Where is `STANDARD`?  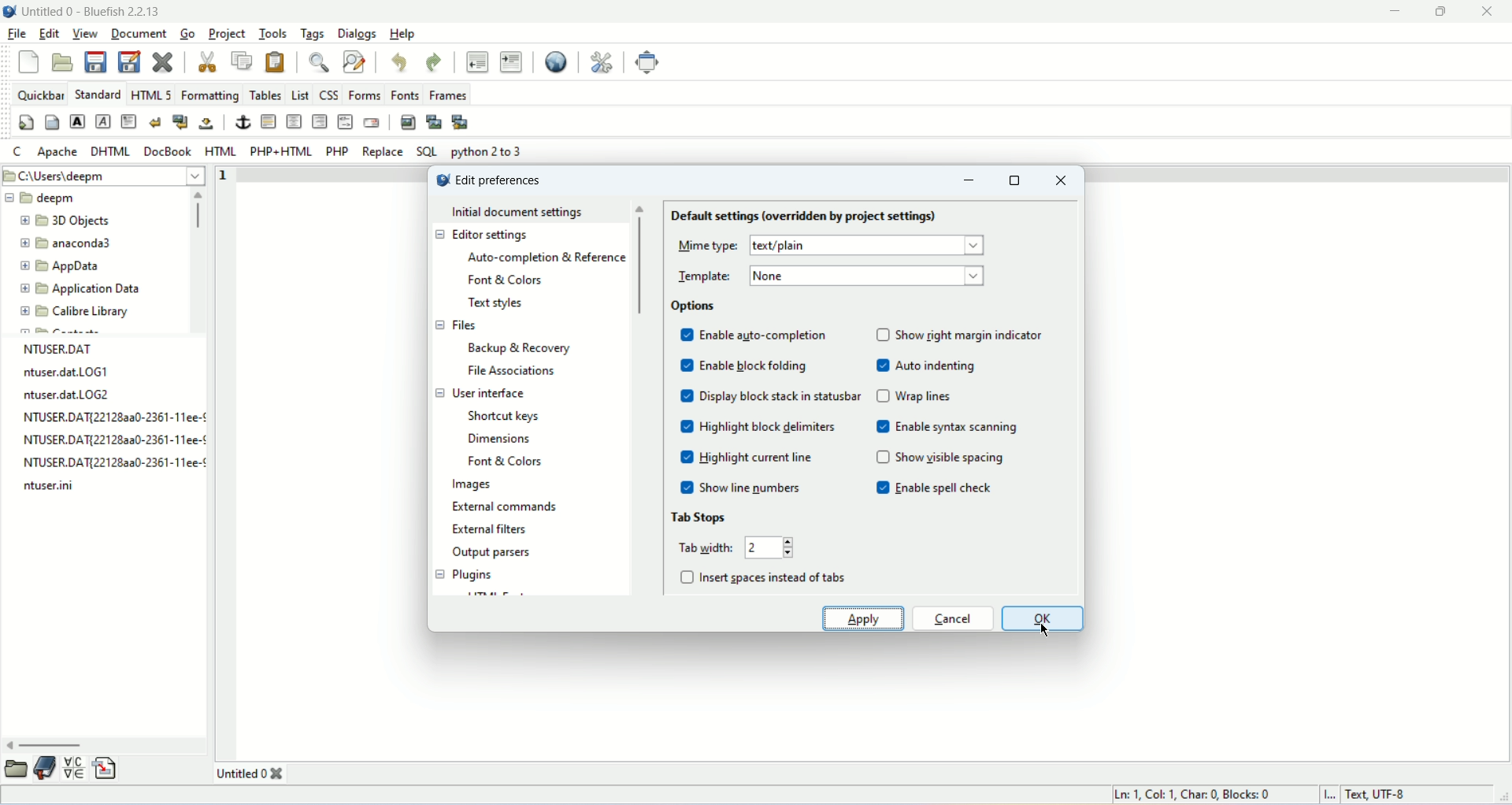 STANDARD is located at coordinates (97, 93).